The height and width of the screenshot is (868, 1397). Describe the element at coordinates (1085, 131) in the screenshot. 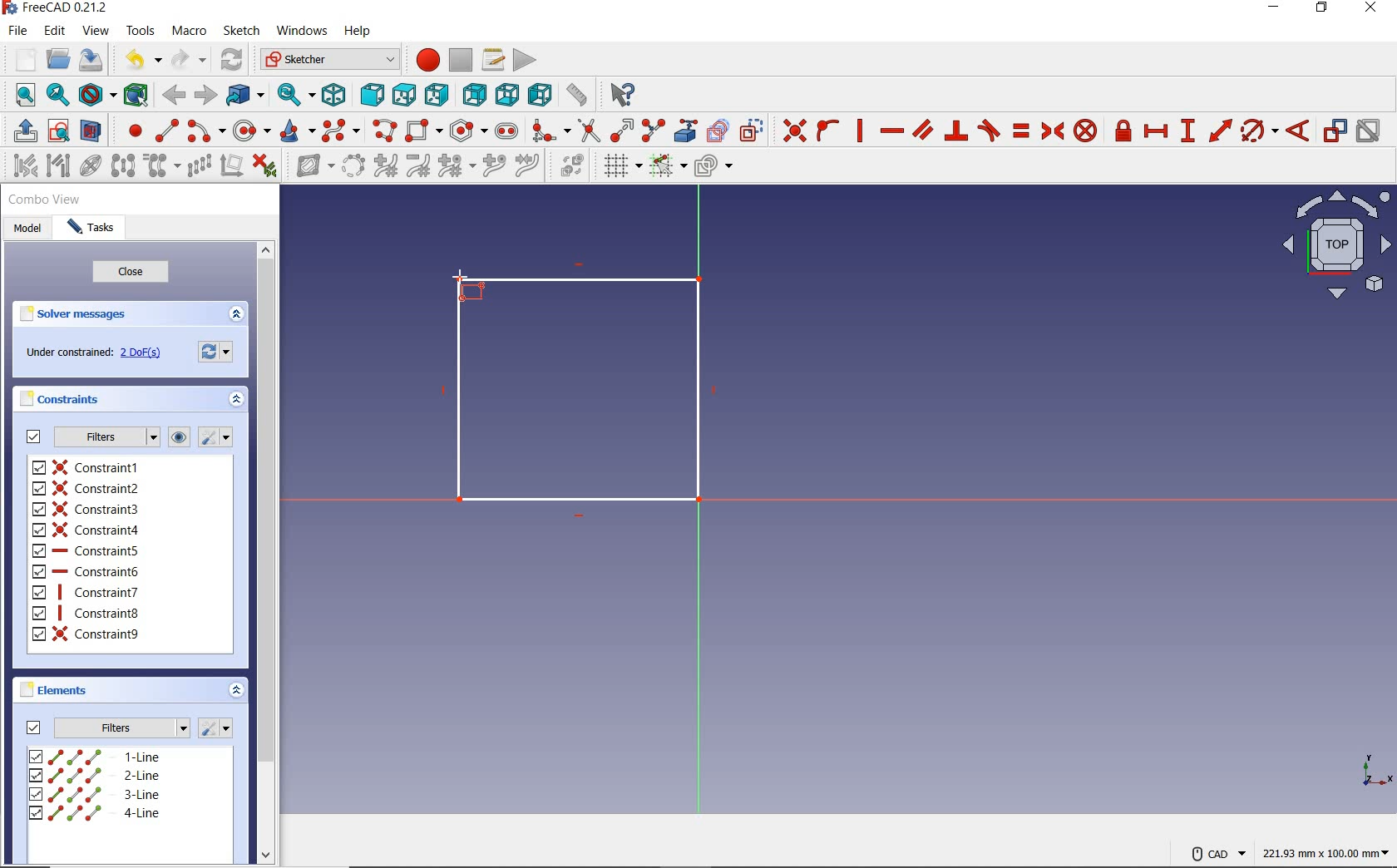

I see `constrain block` at that location.